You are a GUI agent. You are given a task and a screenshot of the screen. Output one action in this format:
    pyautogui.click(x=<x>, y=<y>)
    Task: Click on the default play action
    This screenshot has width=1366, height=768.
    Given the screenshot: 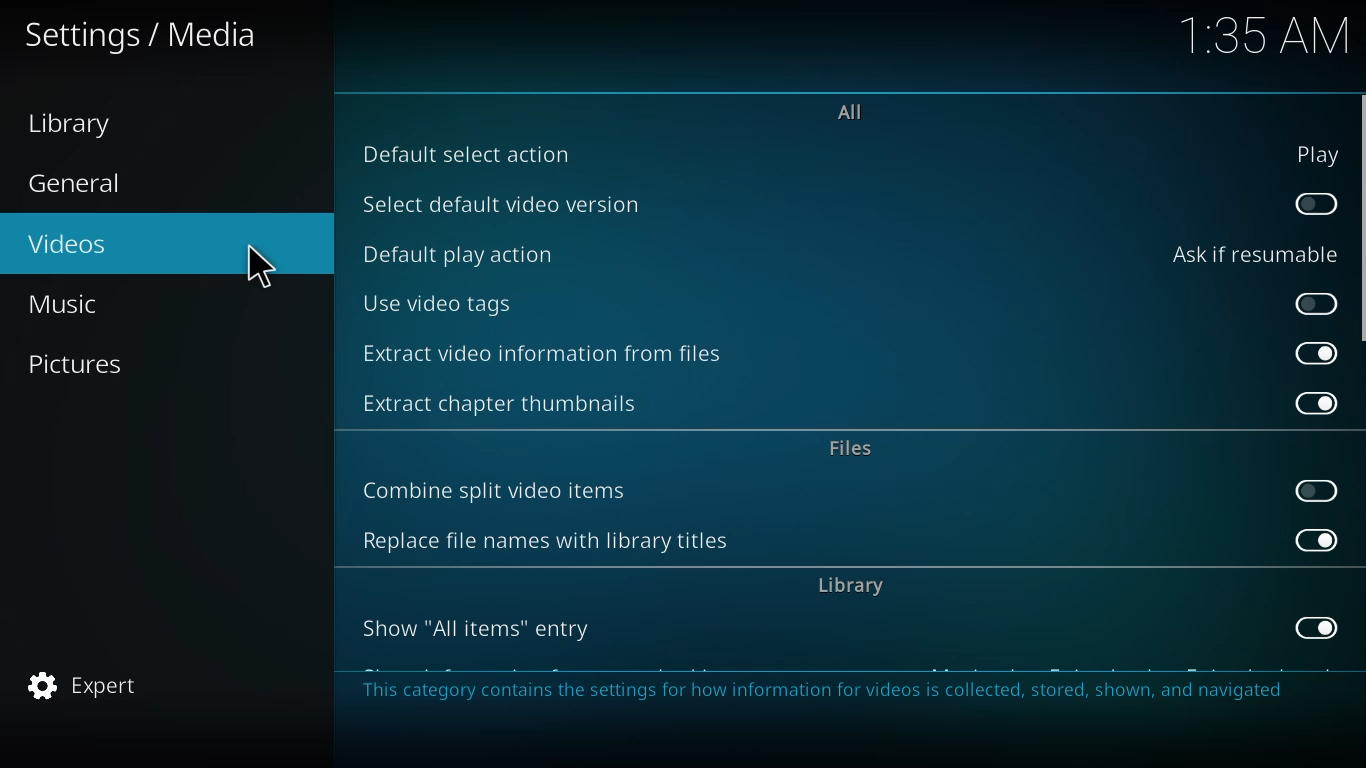 What is the action you would take?
    pyautogui.click(x=460, y=253)
    